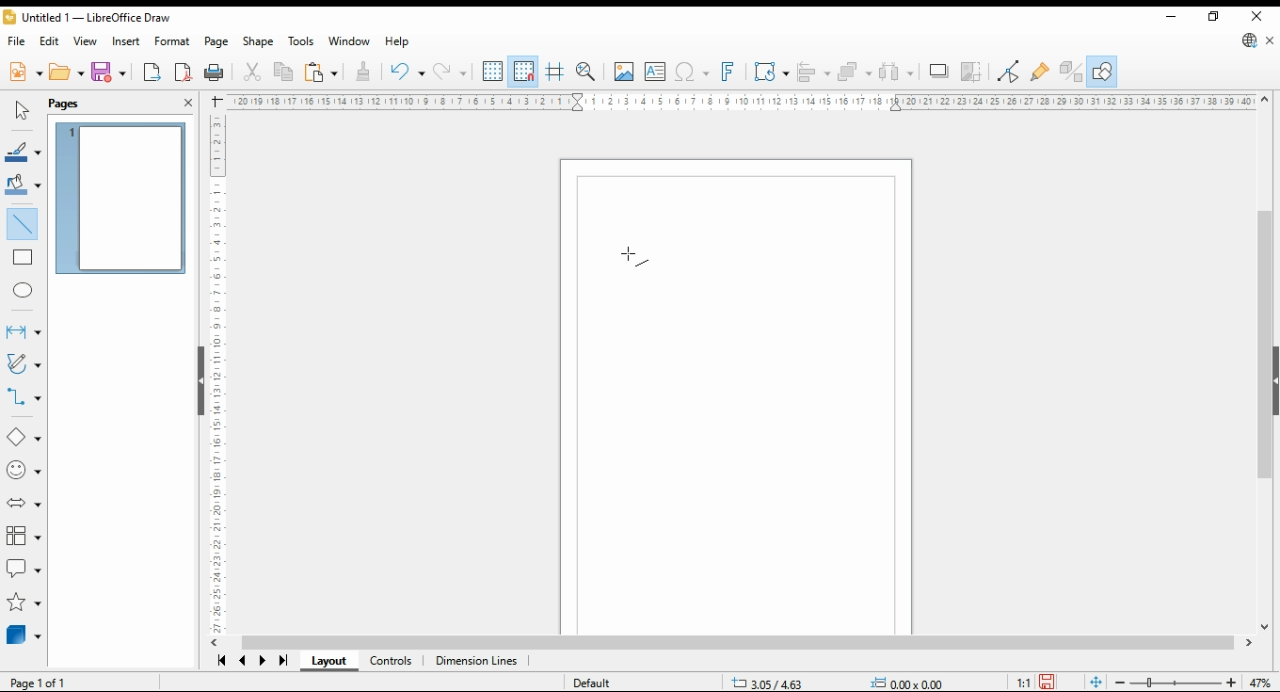 Image resolution: width=1280 pixels, height=692 pixels. What do you see at coordinates (1270, 41) in the screenshot?
I see `close document` at bounding box center [1270, 41].